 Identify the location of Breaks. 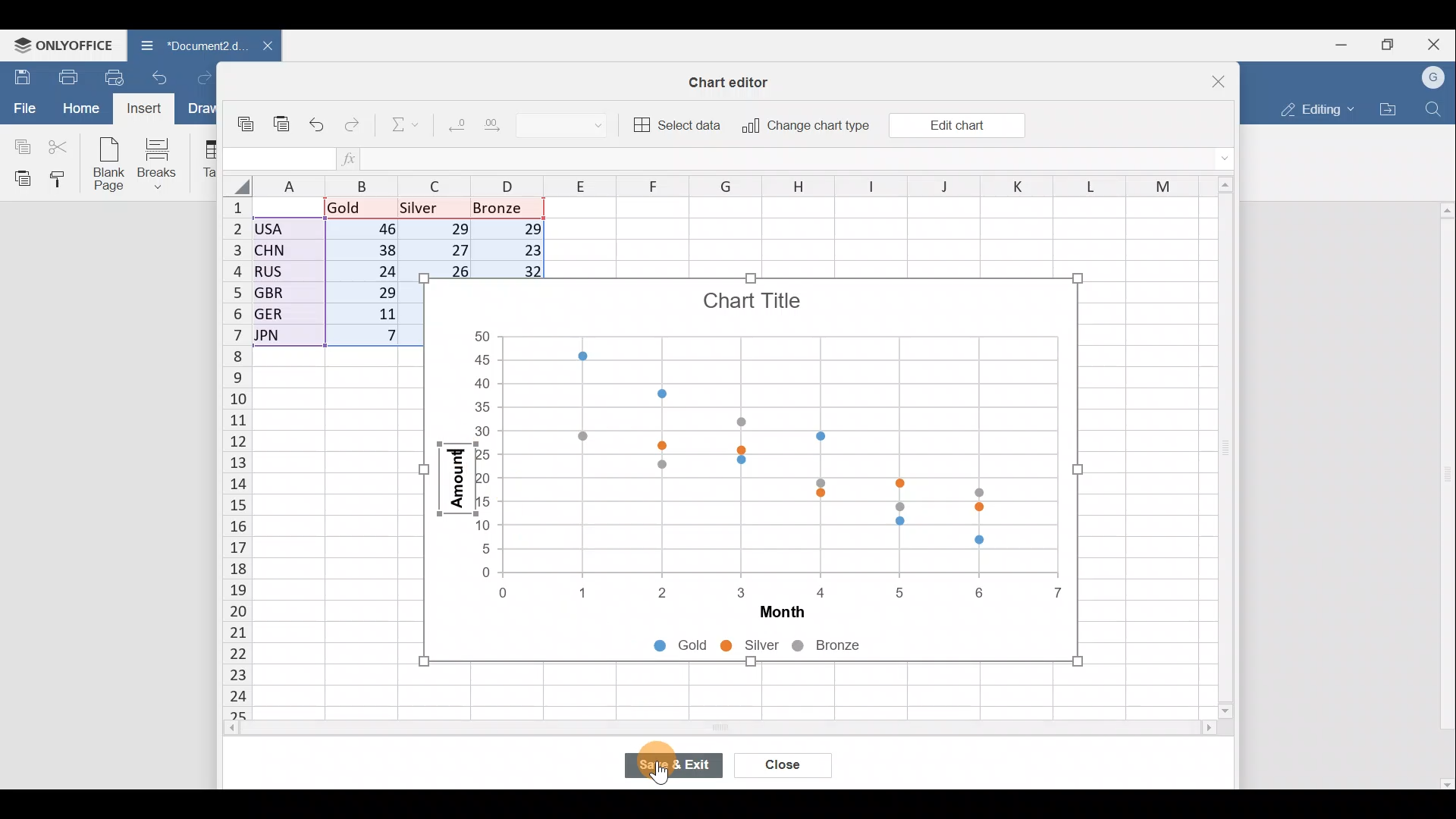
(160, 164).